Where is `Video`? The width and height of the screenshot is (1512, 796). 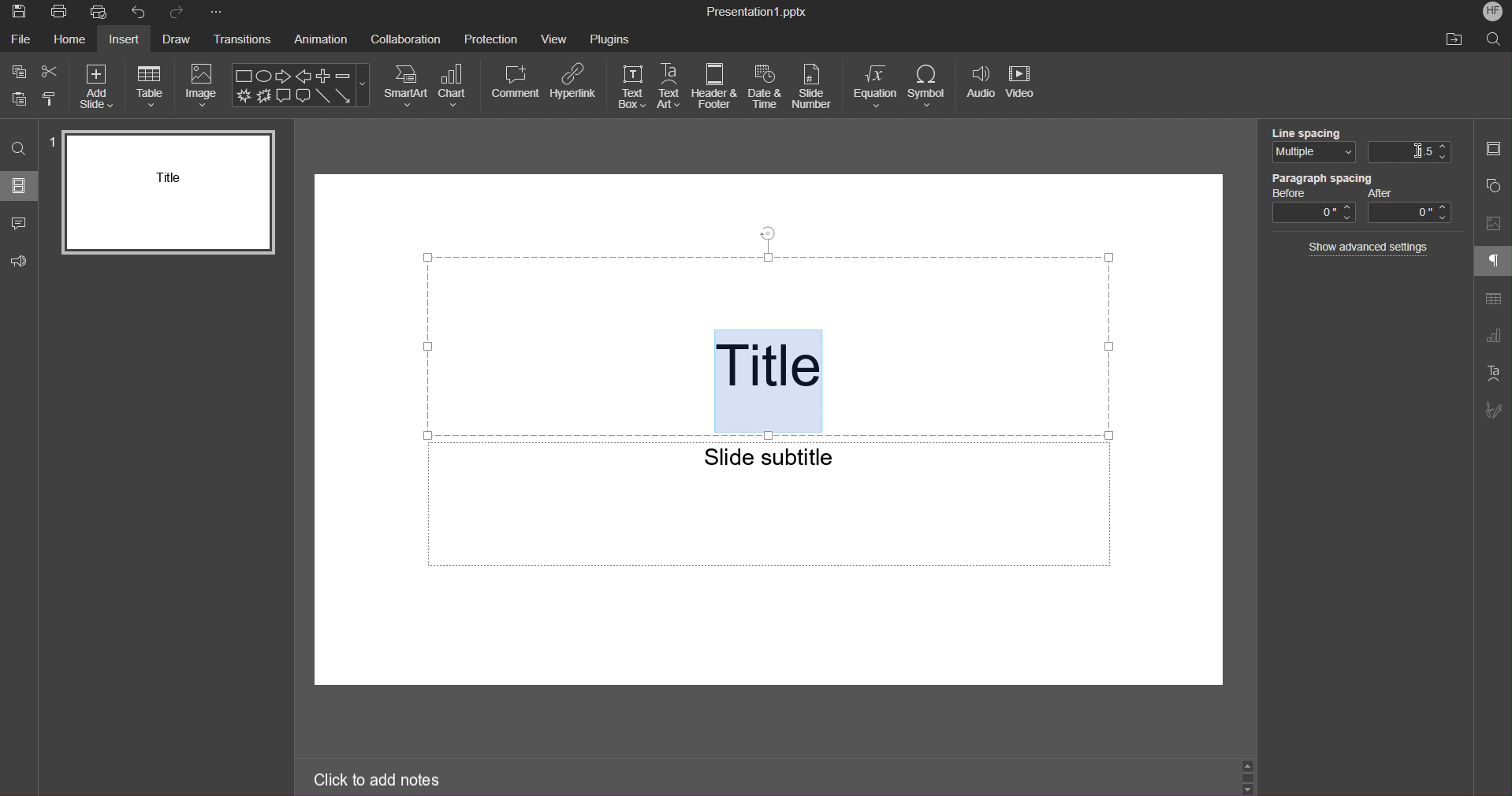 Video is located at coordinates (1026, 88).